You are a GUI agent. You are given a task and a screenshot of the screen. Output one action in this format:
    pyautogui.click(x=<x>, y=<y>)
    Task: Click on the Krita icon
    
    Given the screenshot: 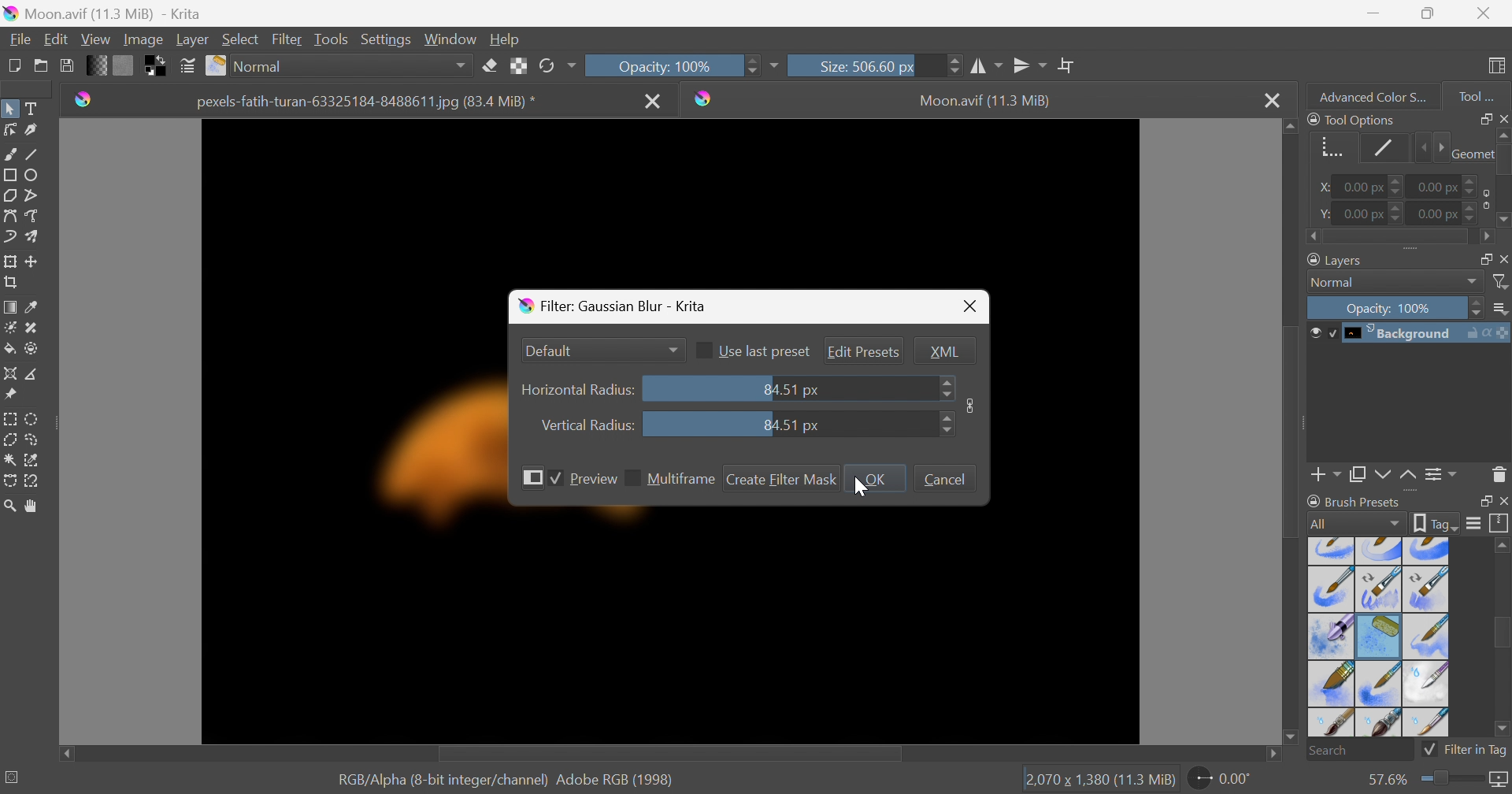 What is the action you would take?
    pyautogui.click(x=80, y=102)
    